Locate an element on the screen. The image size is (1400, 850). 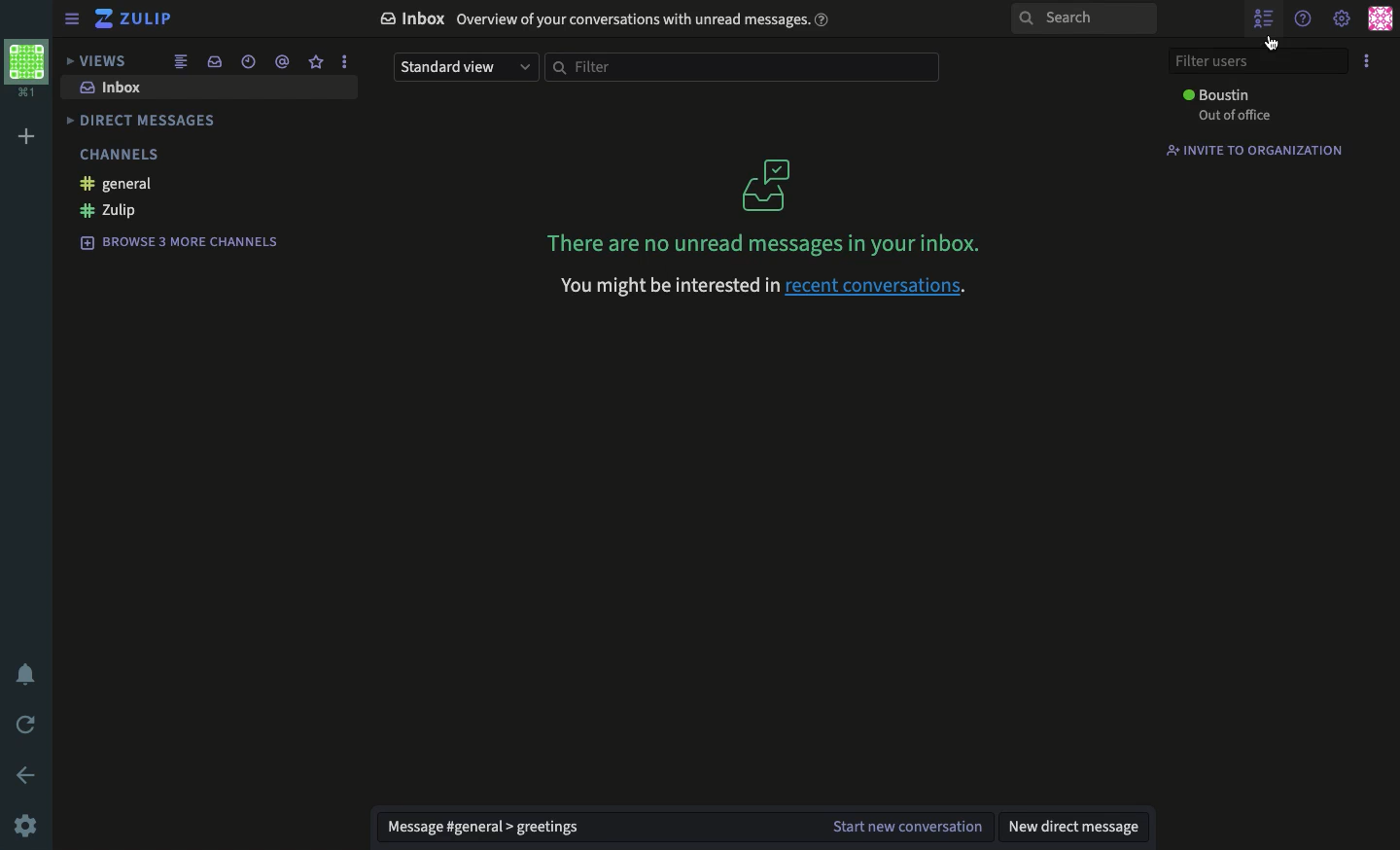
zulip is located at coordinates (103, 211).